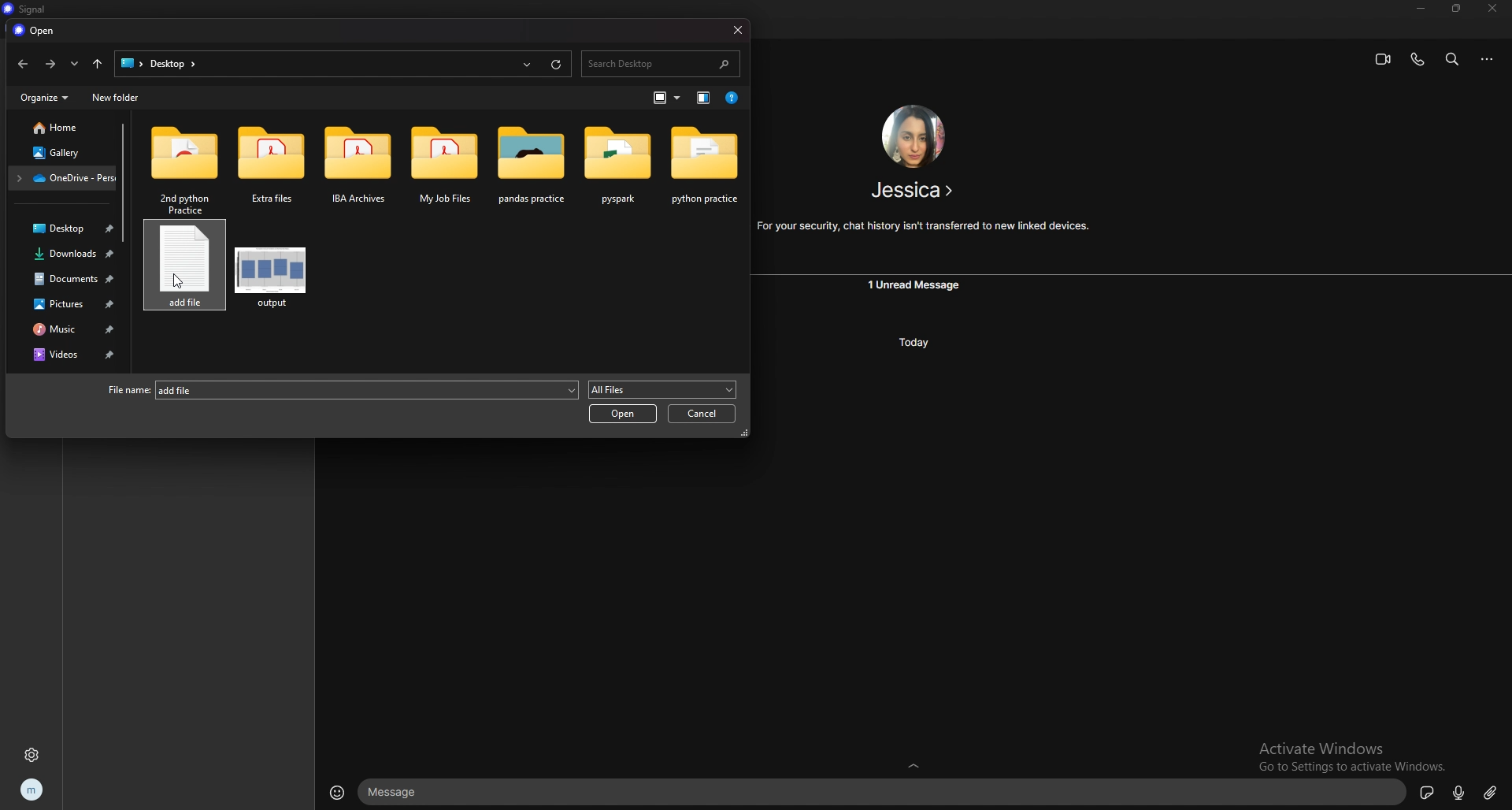 The width and height of the screenshot is (1512, 810). I want to click on cancel, so click(702, 412).